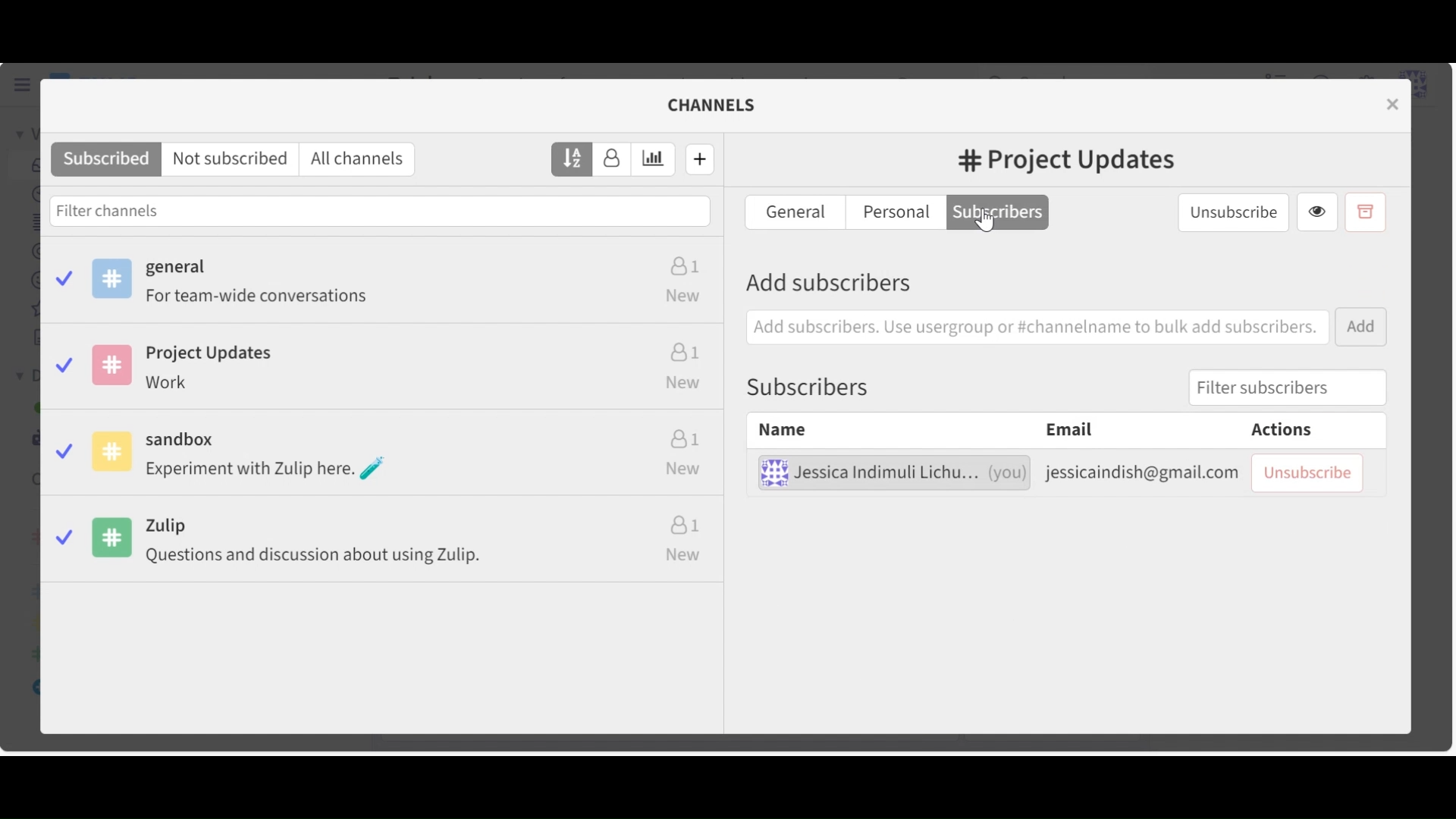 This screenshot has height=819, width=1456. I want to click on Zulip, so click(391, 541).